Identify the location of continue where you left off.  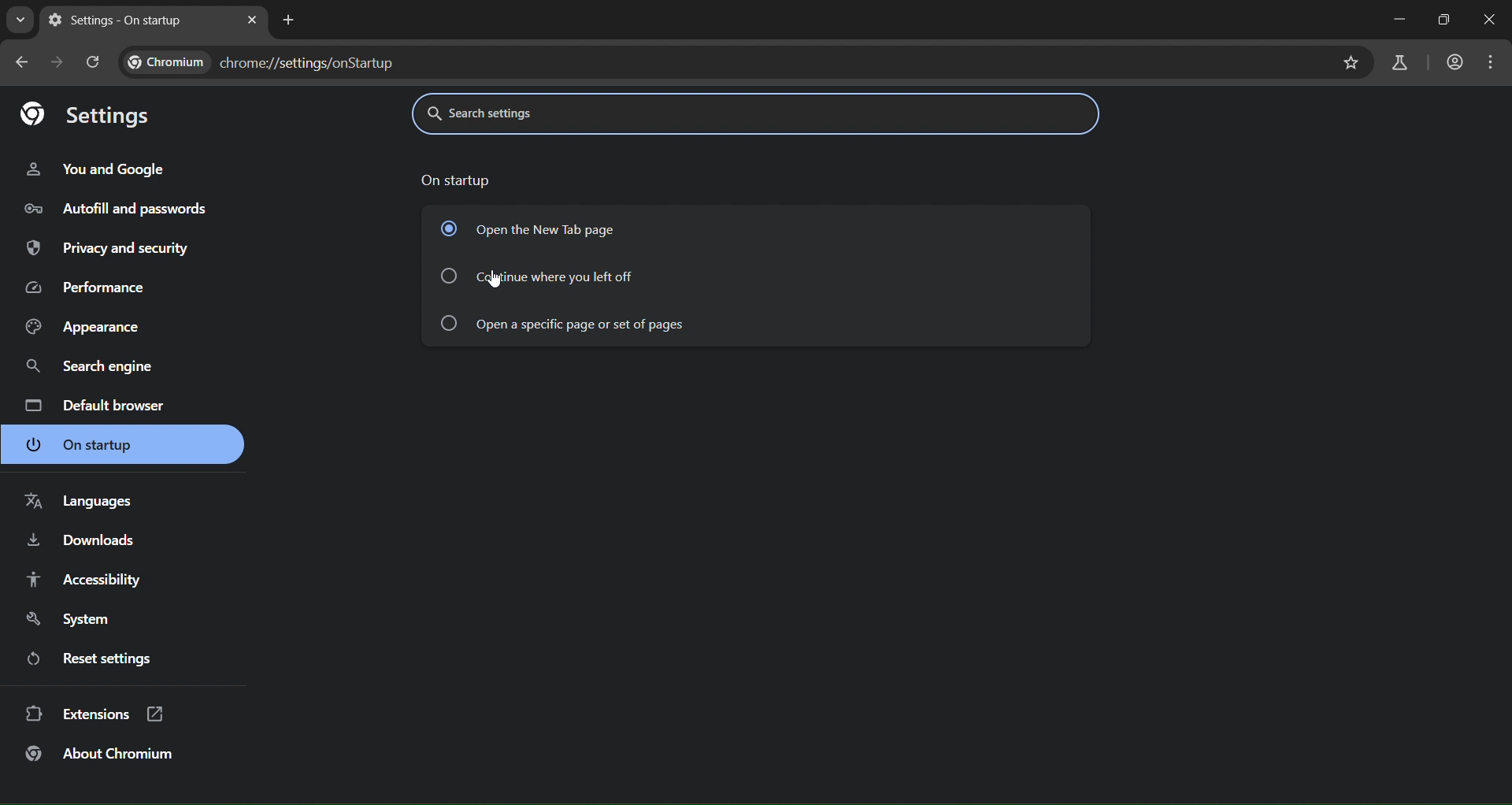
(540, 278).